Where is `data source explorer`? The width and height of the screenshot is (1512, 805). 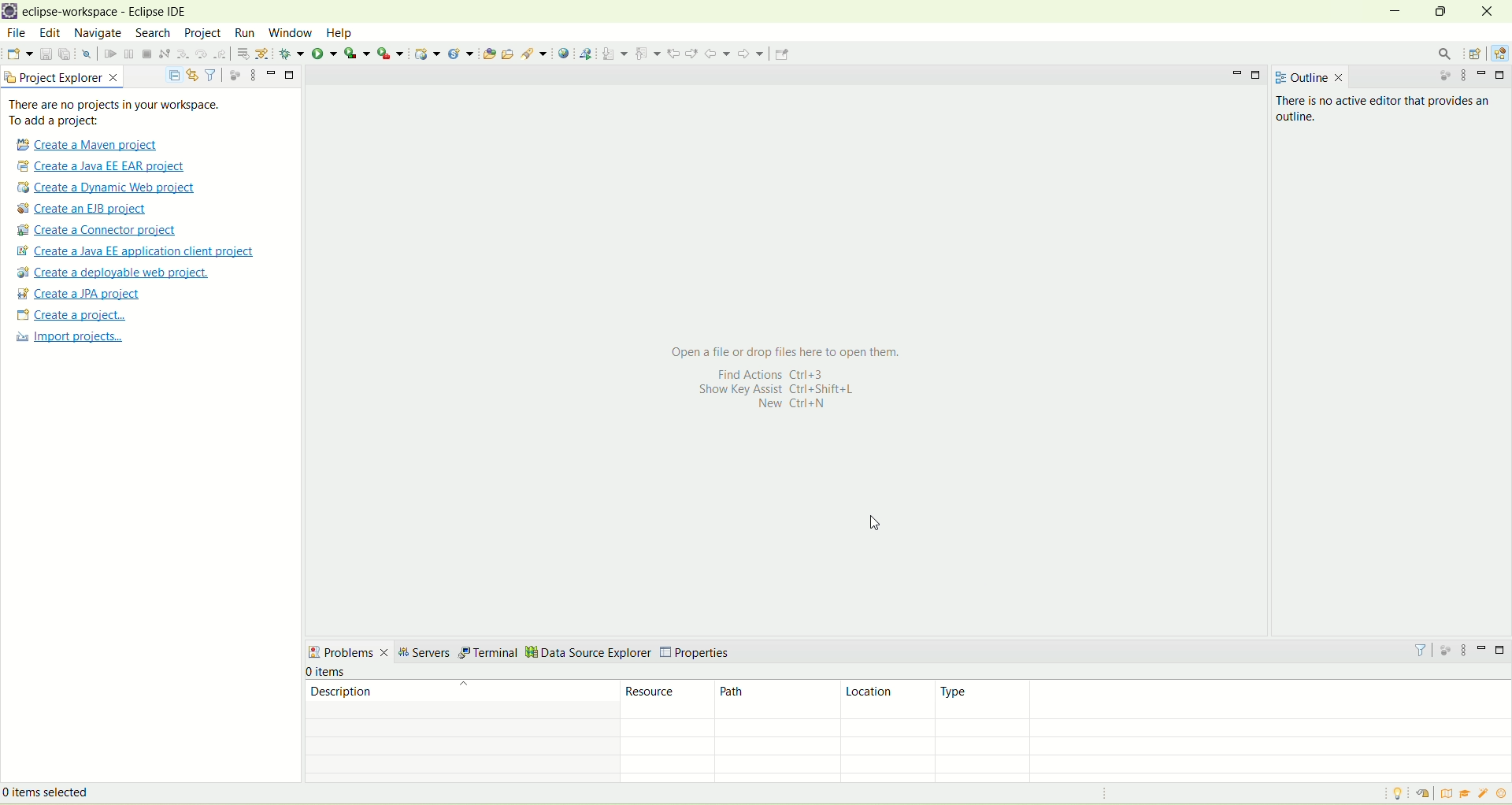 data source explorer is located at coordinates (588, 651).